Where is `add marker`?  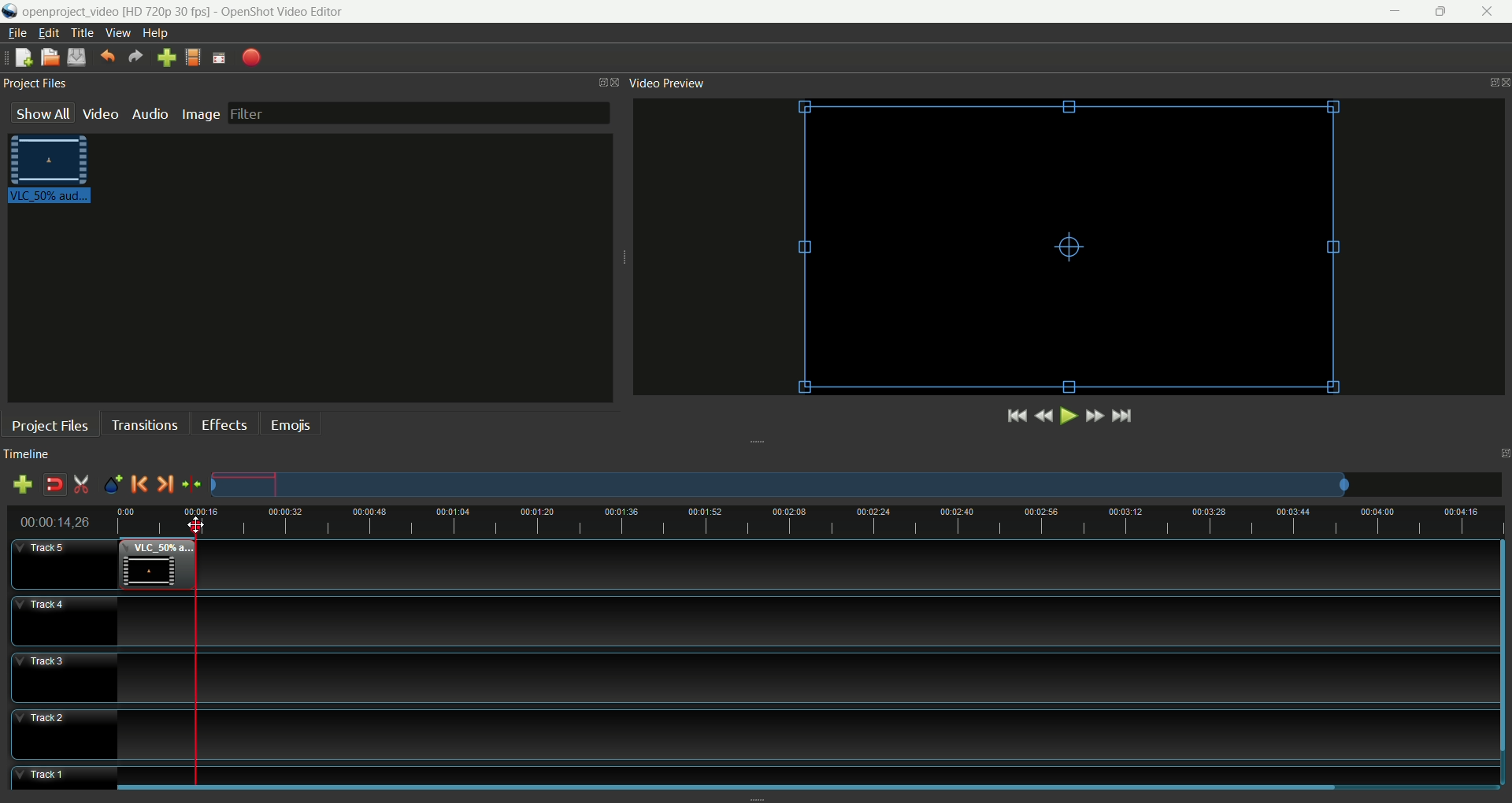
add marker is located at coordinates (114, 485).